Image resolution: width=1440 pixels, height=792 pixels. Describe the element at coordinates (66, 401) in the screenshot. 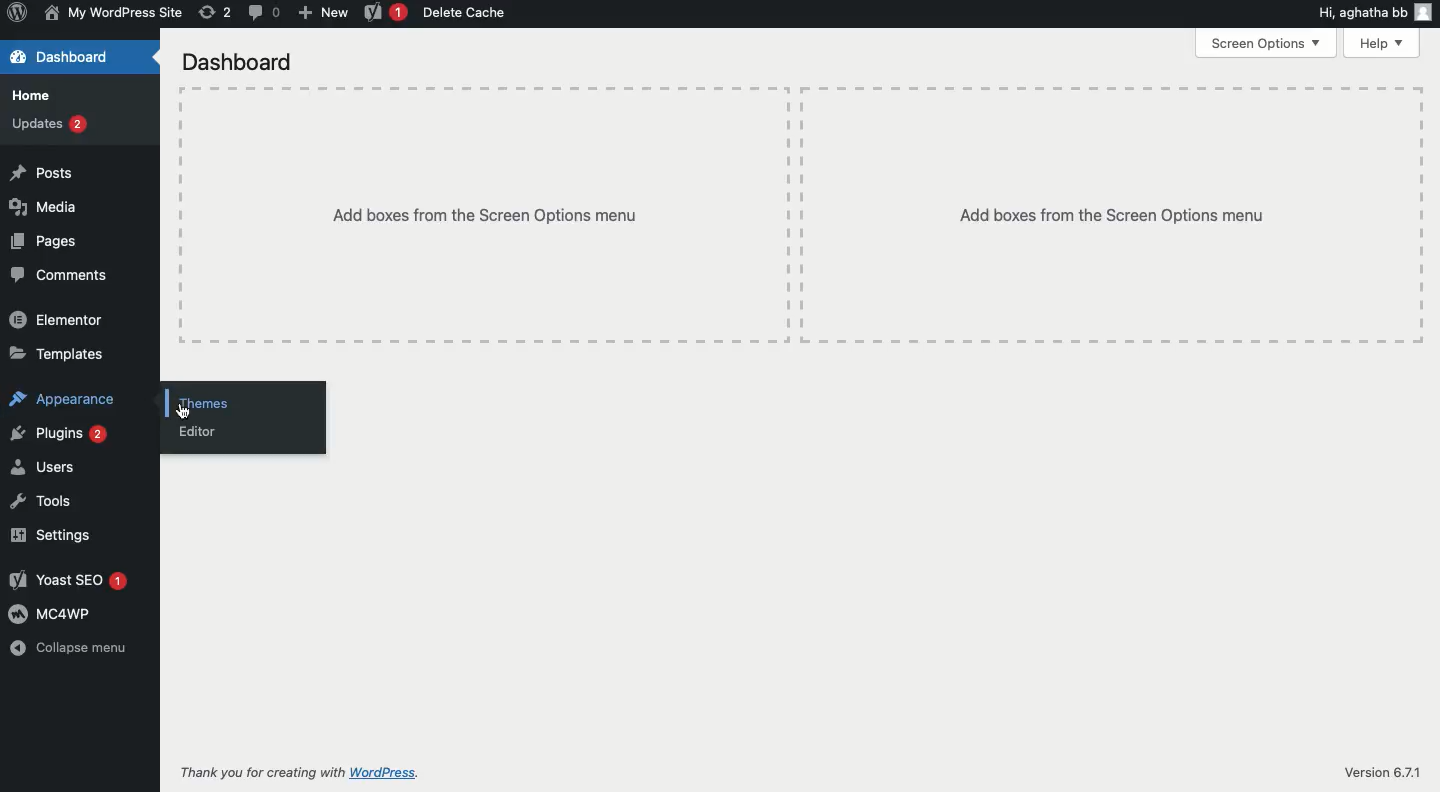

I see `Appearance` at that location.